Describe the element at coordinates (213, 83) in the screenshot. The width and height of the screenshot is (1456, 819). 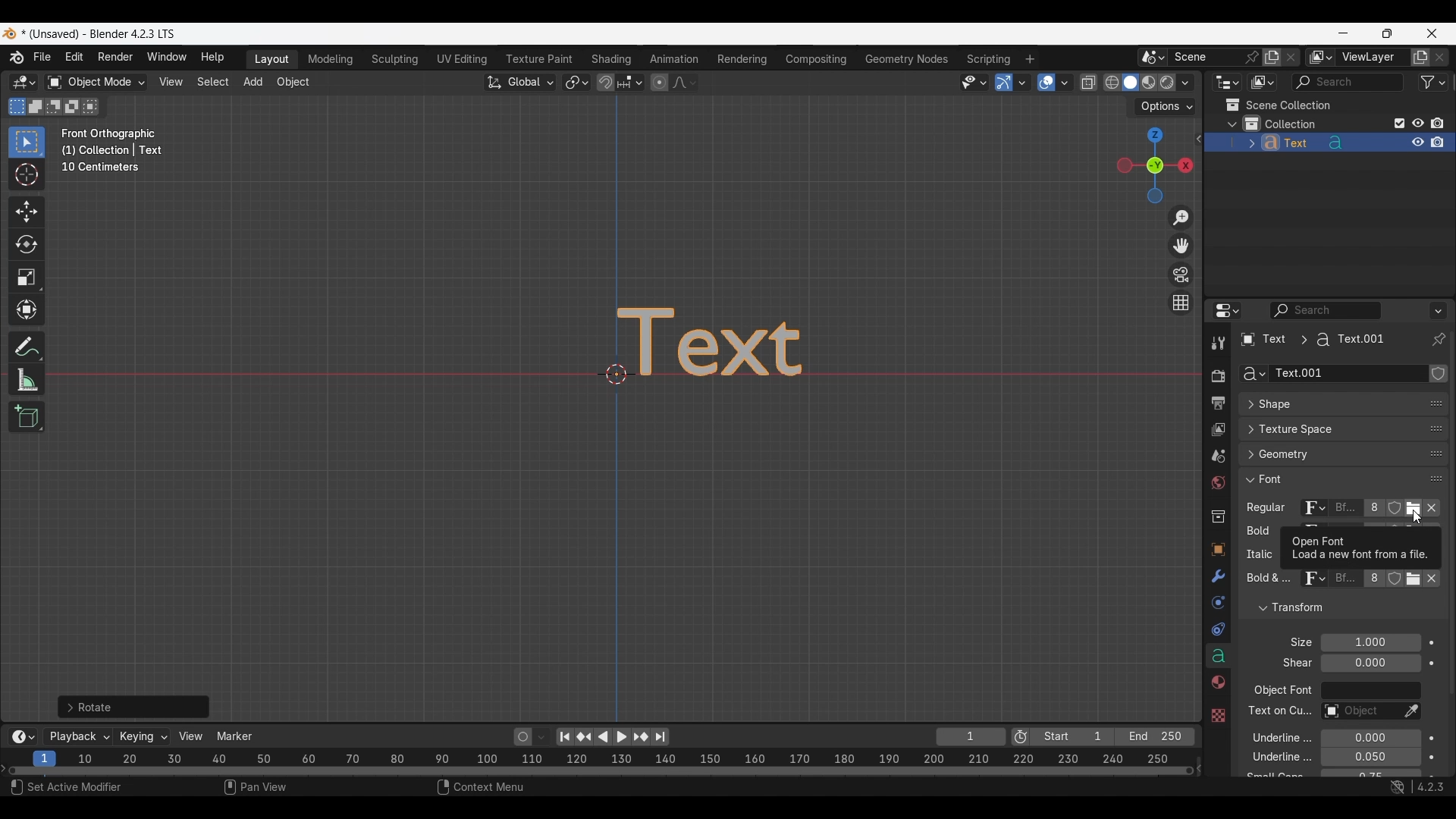
I see `Select menu` at that location.